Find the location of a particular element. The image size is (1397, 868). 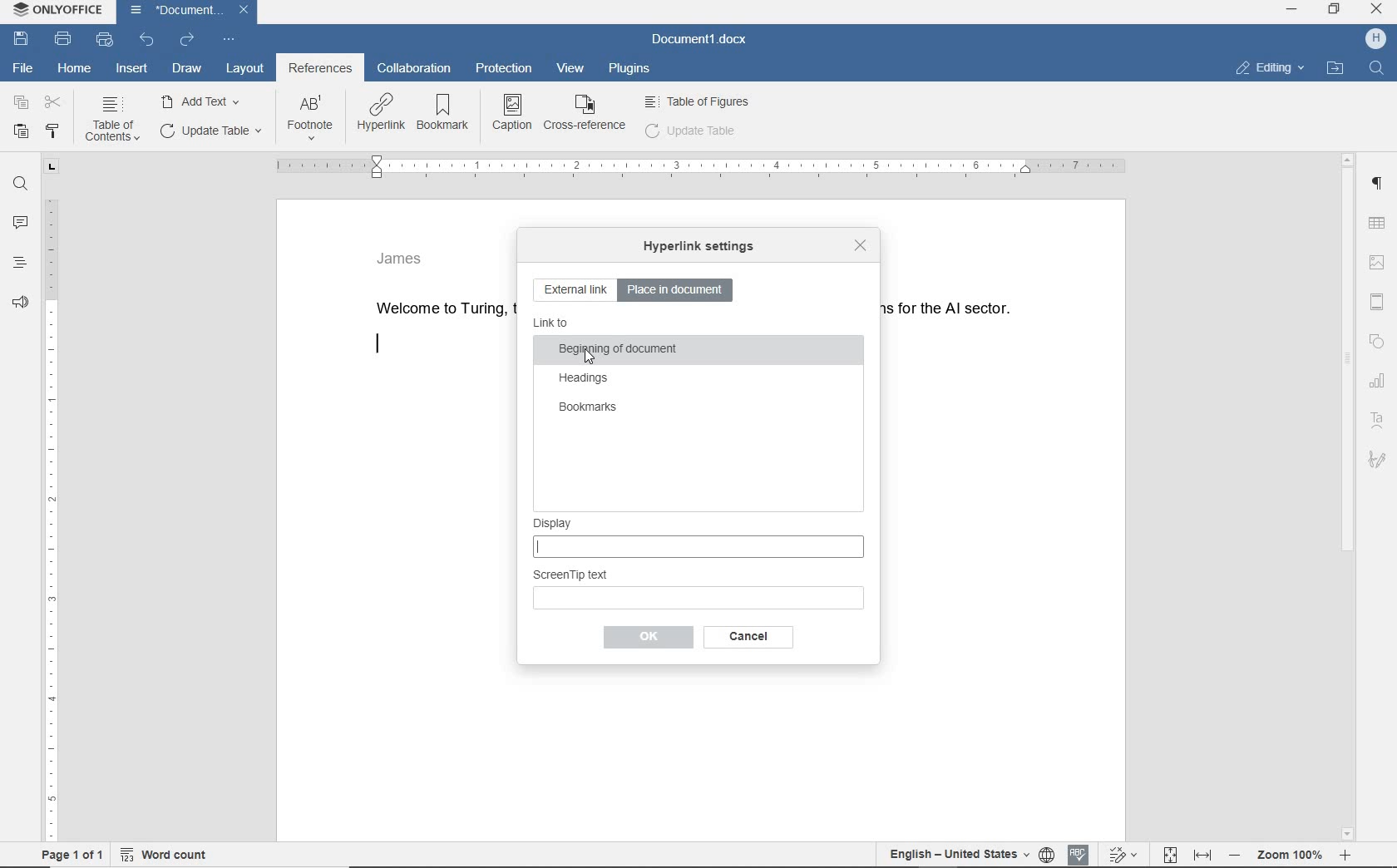

references is located at coordinates (320, 70).